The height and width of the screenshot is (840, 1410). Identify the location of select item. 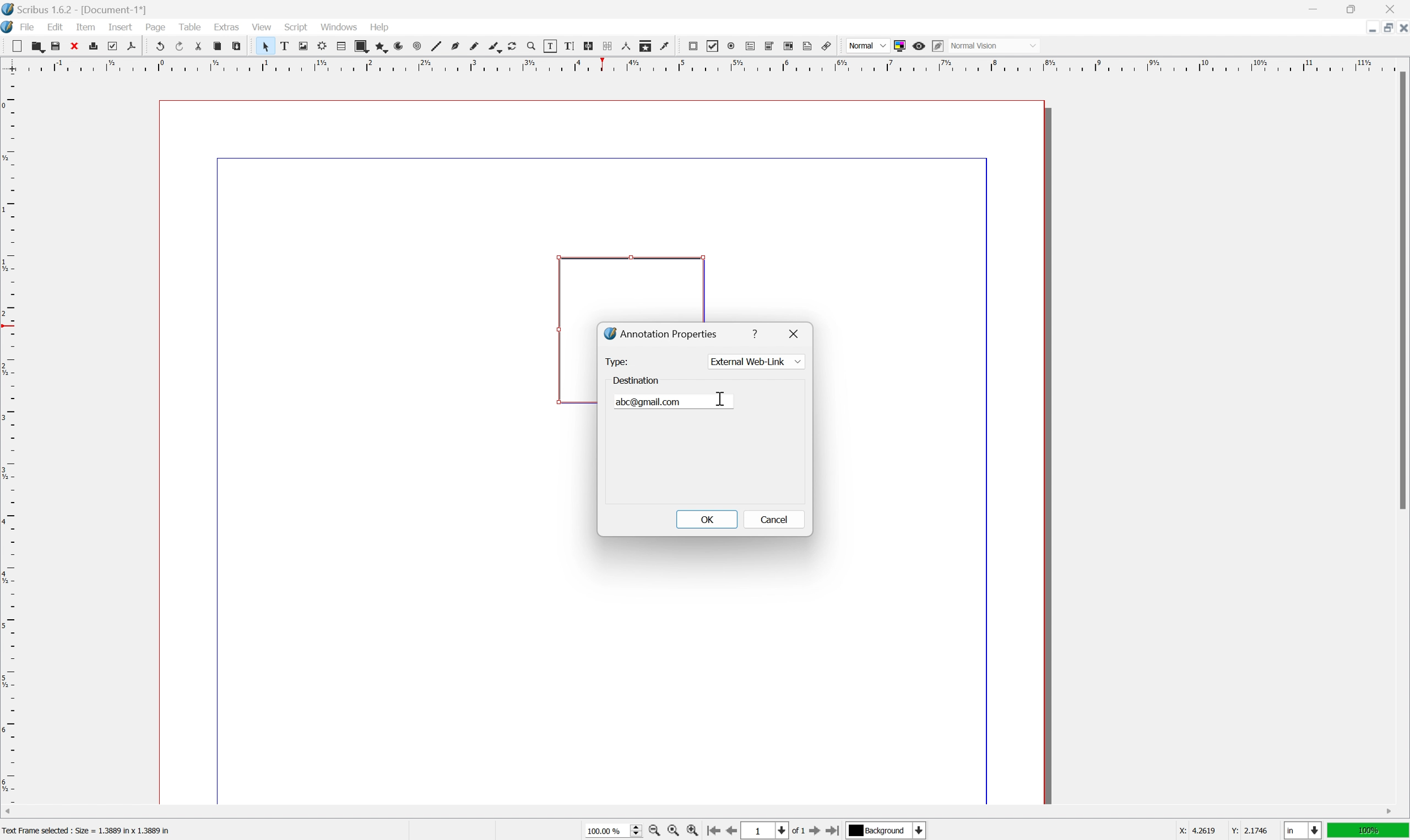
(266, 46).